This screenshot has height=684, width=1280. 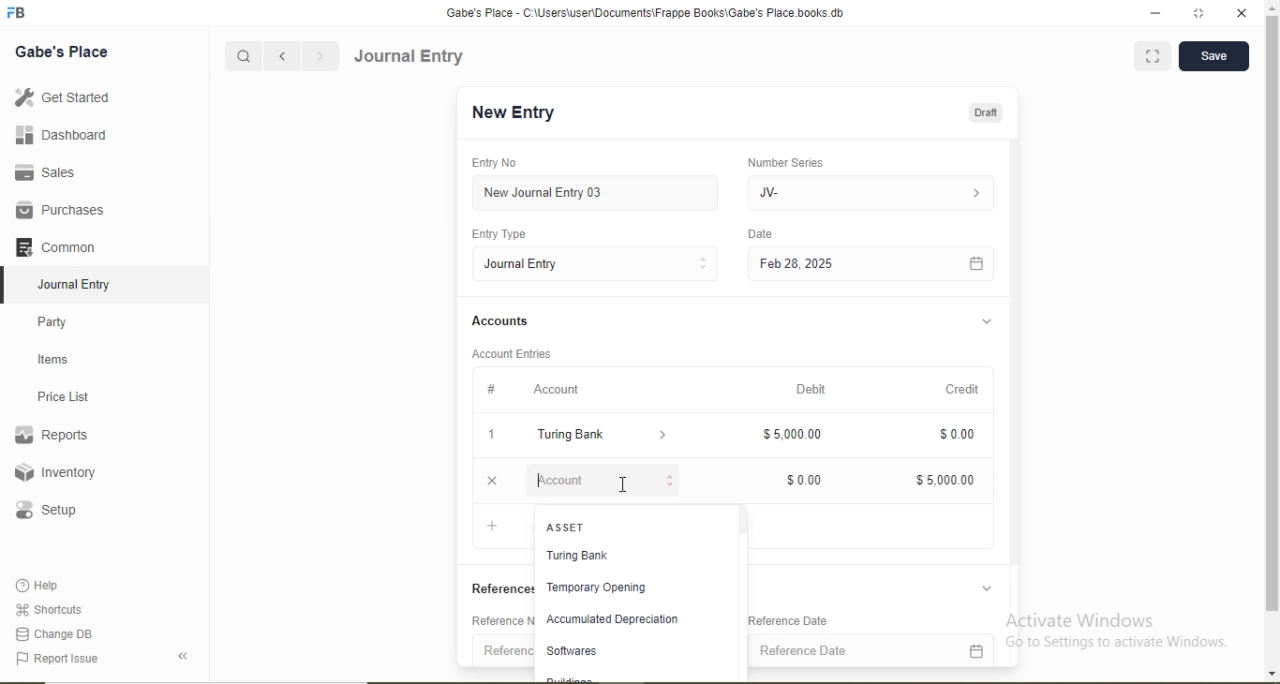 What do you see at coordinates (800, 263) in the screenshot?
I see `Feb 28, 2025` at bounding box center [800, 263].